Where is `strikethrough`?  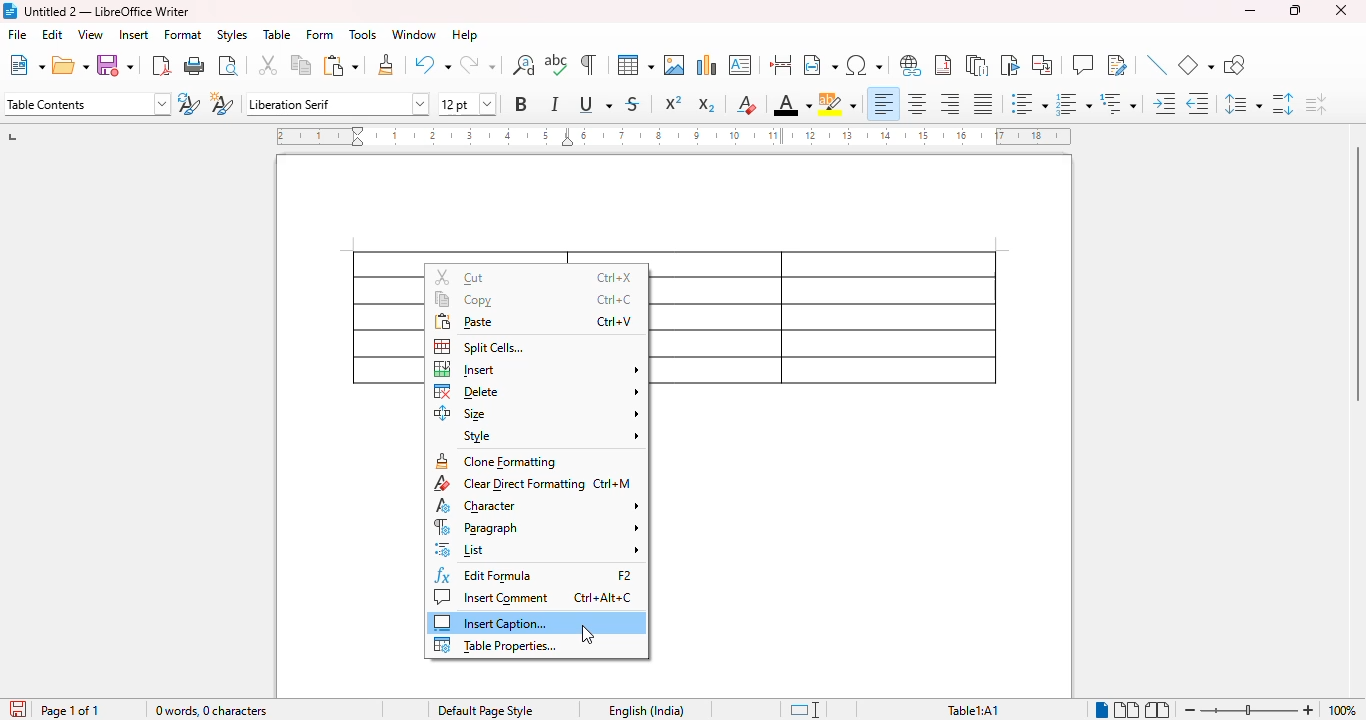 strikethrough is located at coordinates (633, 105).